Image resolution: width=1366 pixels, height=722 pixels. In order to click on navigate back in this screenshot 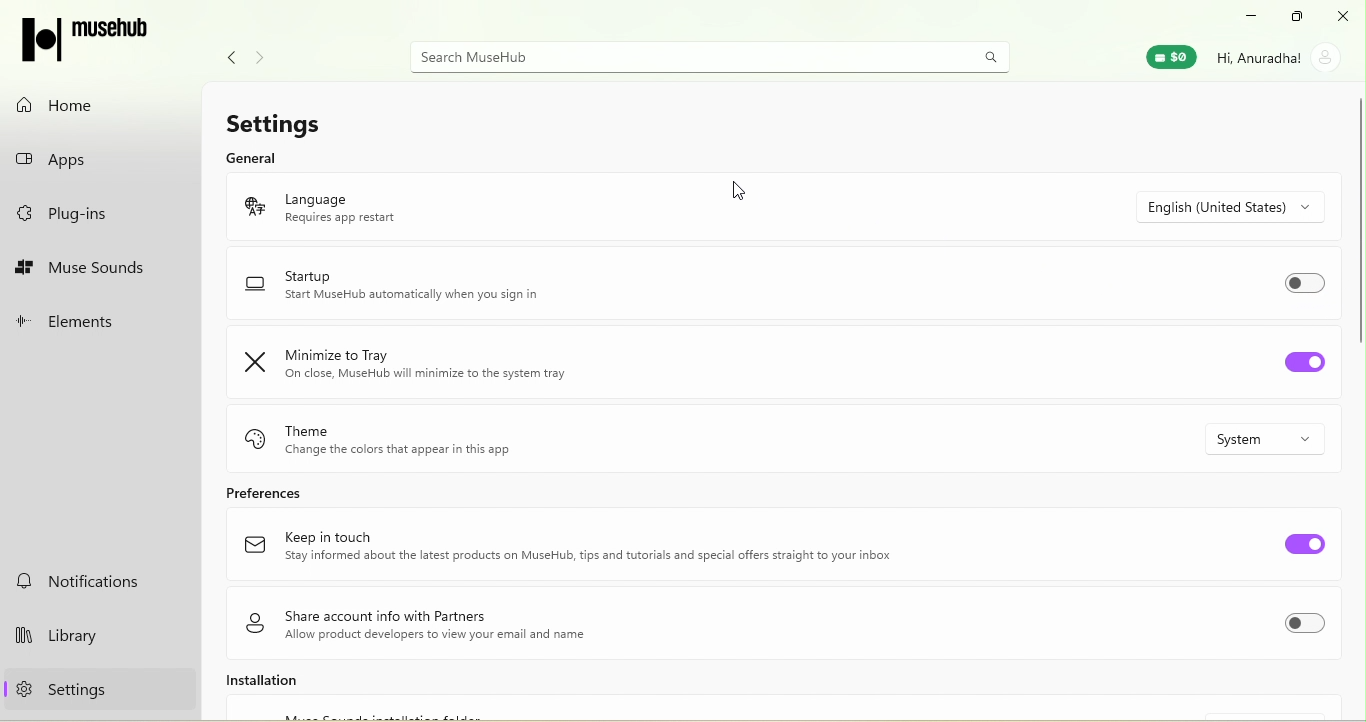, I will do `click(226, 55)`.